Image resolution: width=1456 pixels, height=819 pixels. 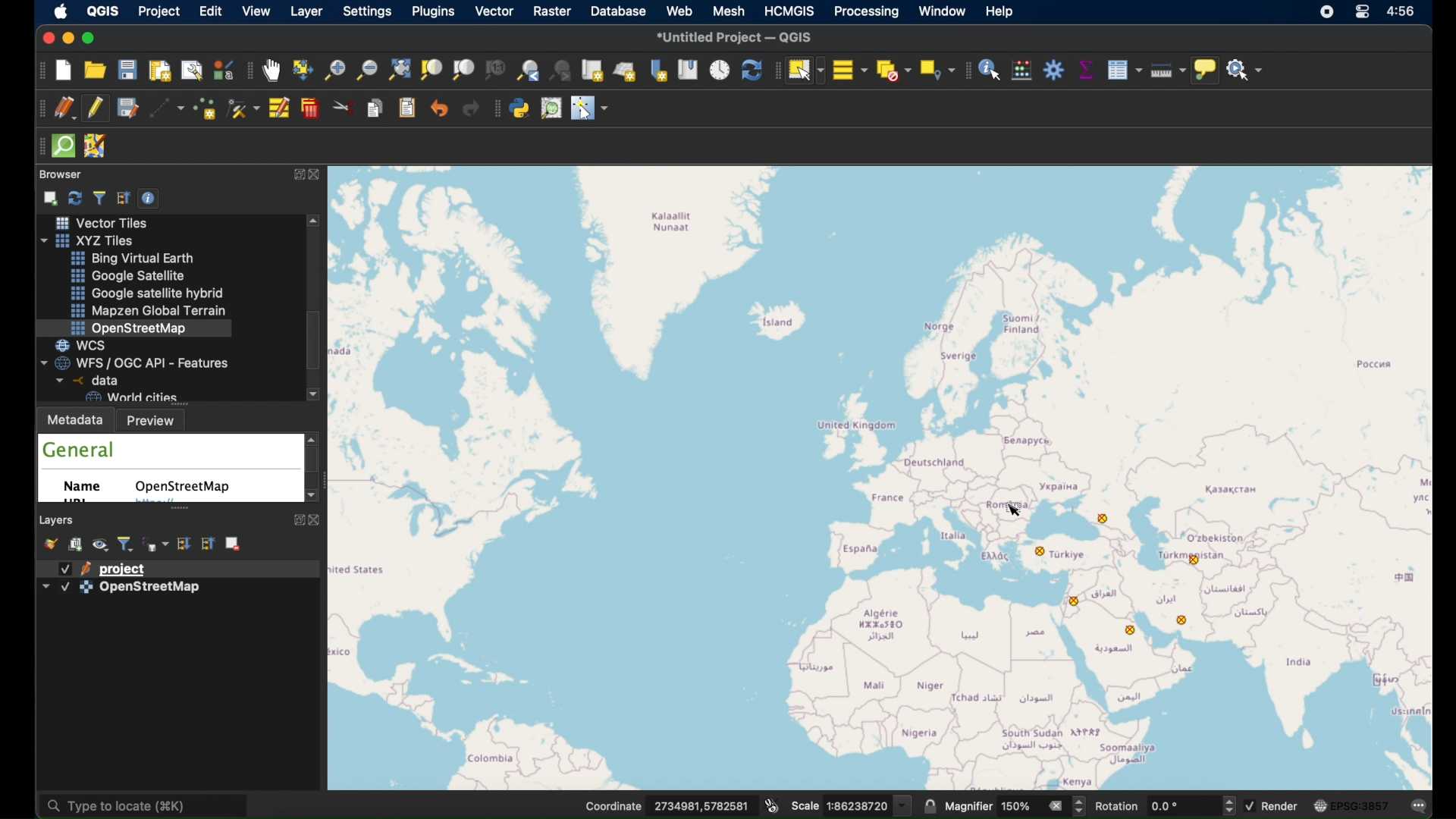 I want to click on zoom next, so click(x=562, y=71).